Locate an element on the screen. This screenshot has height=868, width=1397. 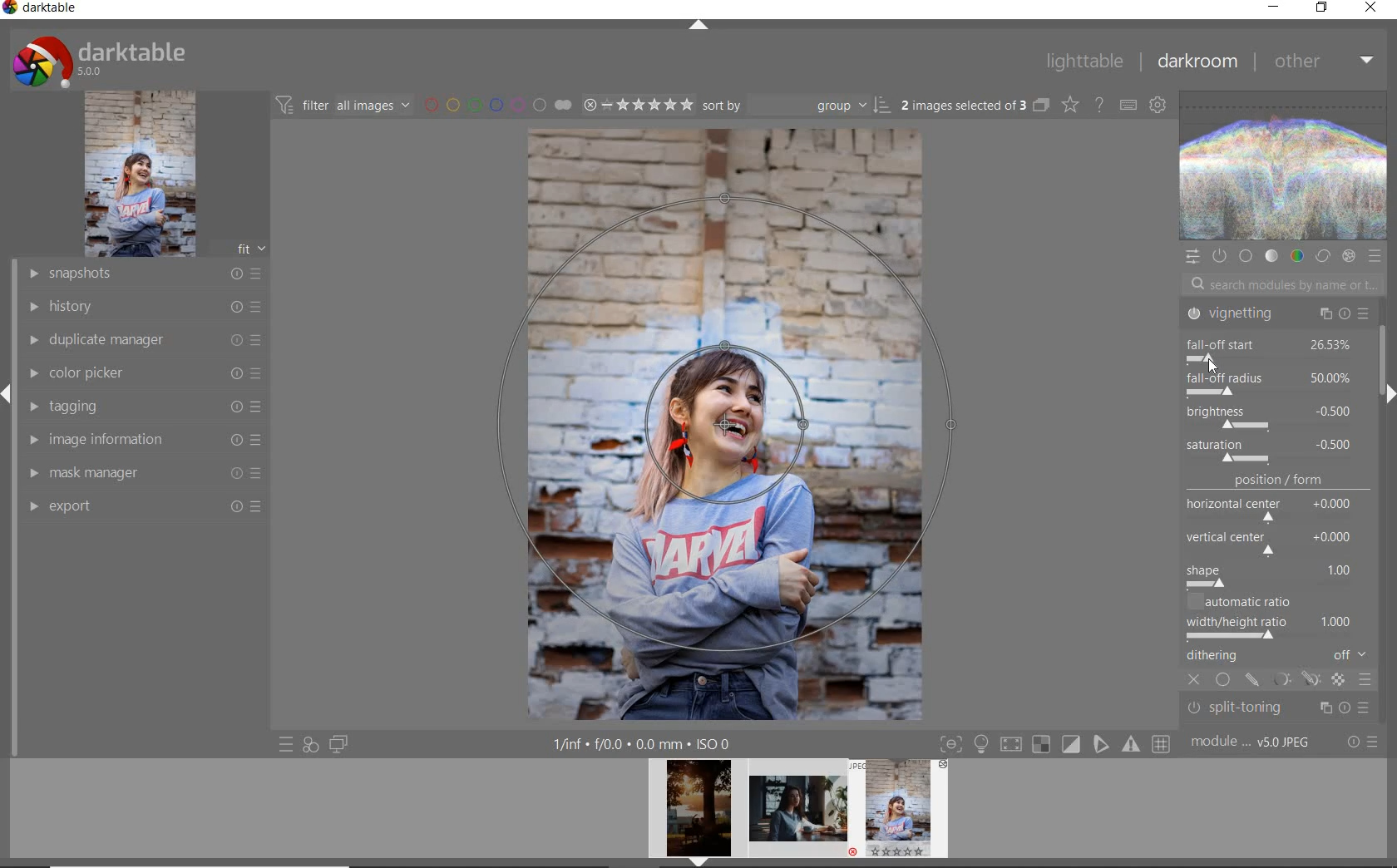
other interface detal is located at coordinates (644, 744).